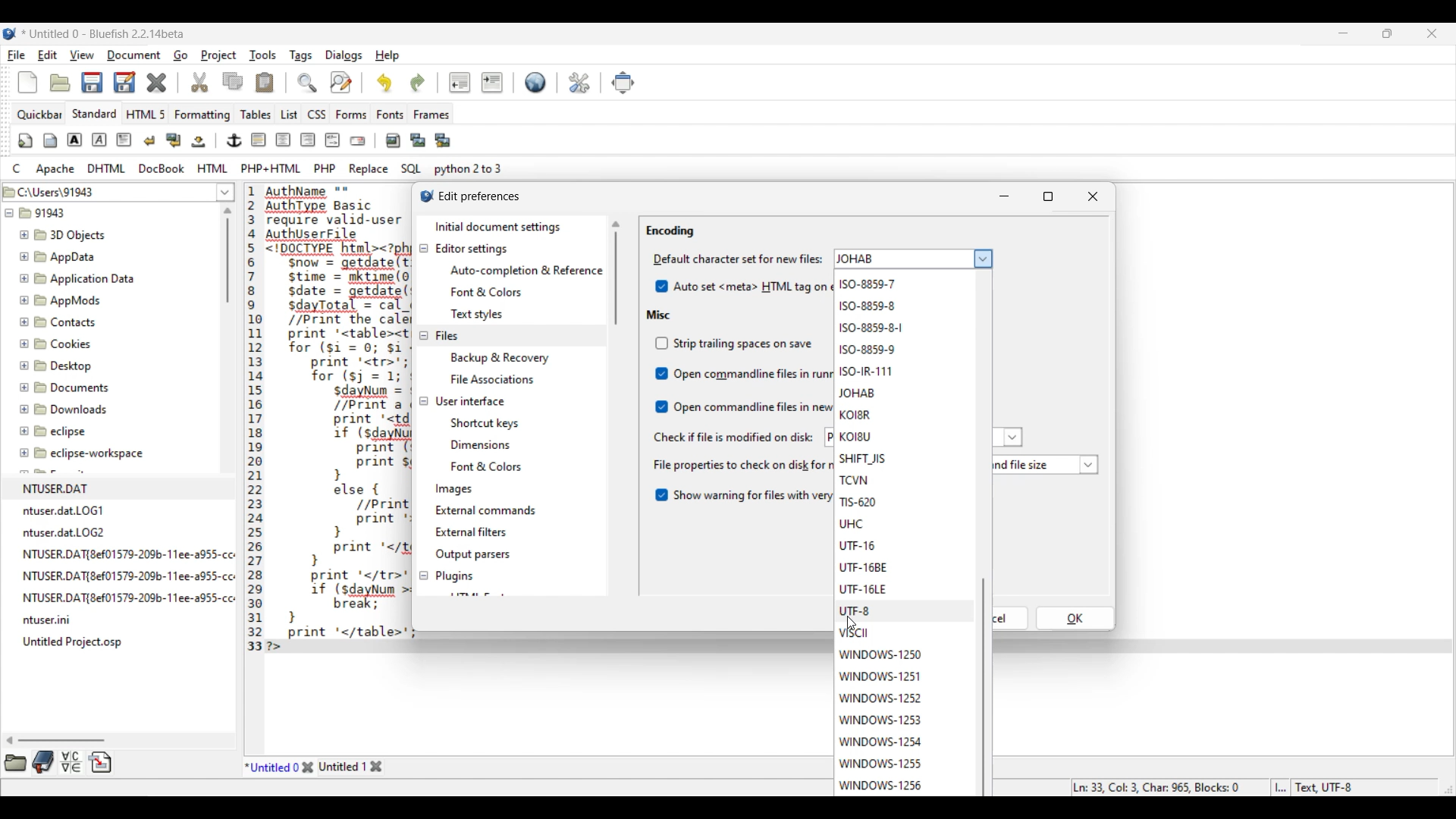 The image size is (1456, 819). What do you see at coordinates (146, 114) in the screenshot?
I see `HTML 5` at bounding box center [146, 114].